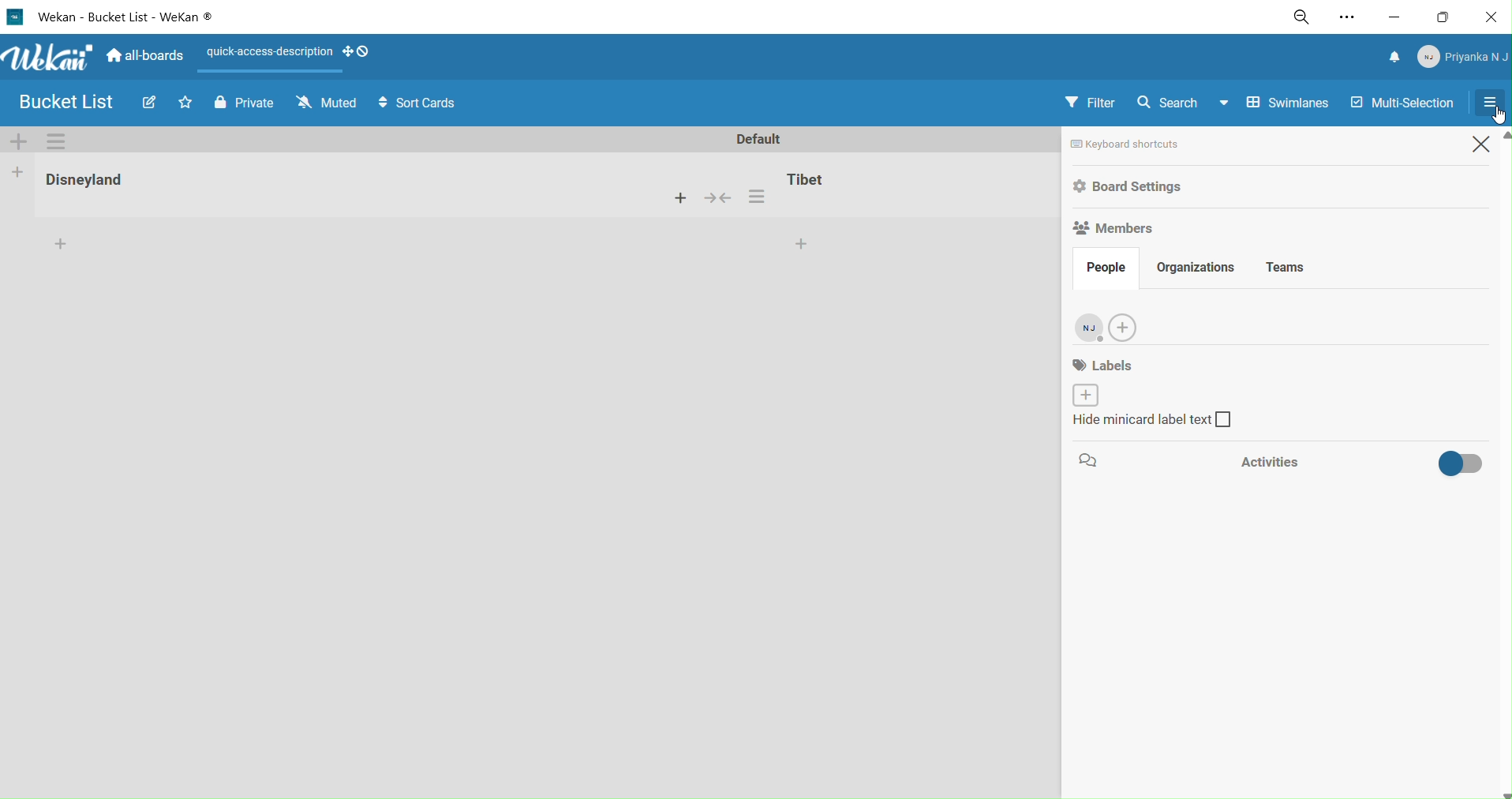 The height and width of the screenshot is (799, 1512). Describe the element at coordinates (1121, 228) in the screenshot. I see `members` at that location.